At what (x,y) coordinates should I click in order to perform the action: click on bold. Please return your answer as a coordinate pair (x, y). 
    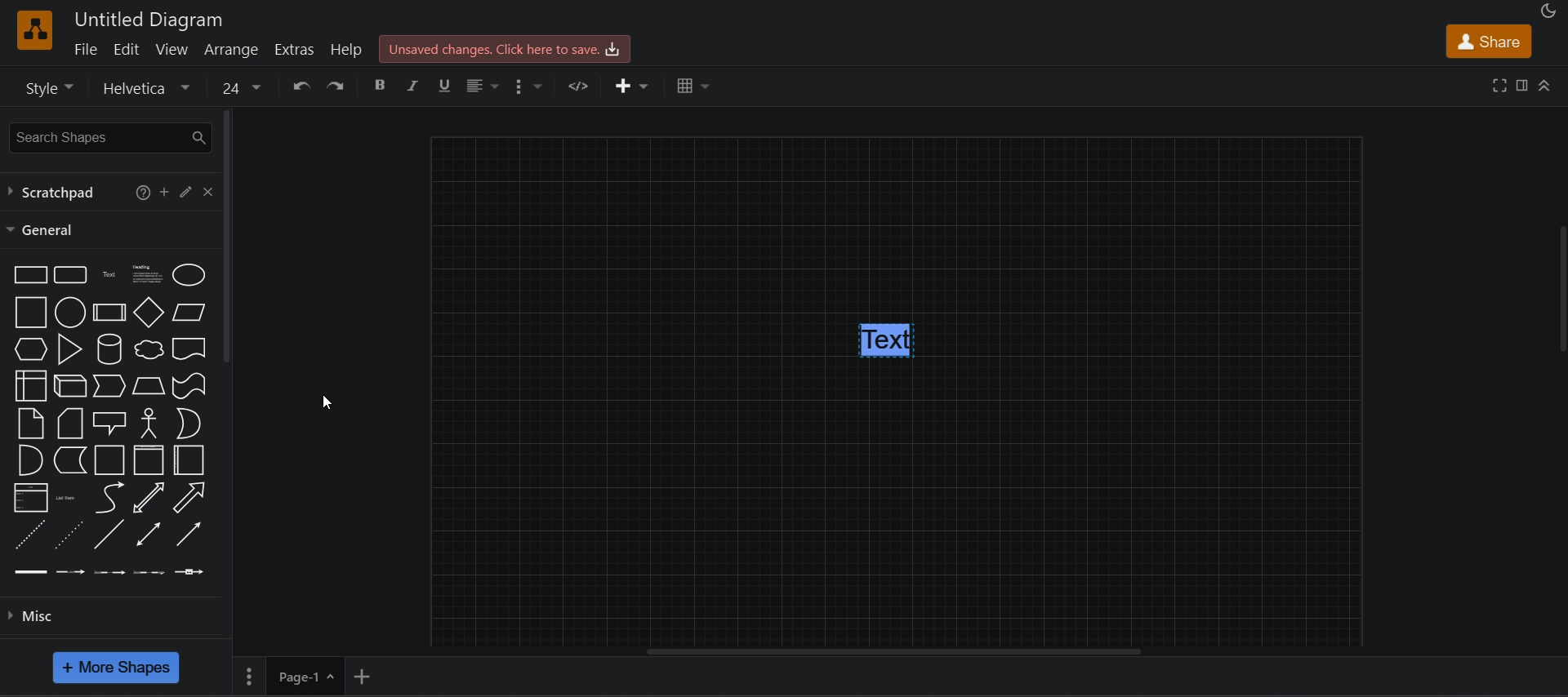
    Looking at the image, I should click on (381, 86).